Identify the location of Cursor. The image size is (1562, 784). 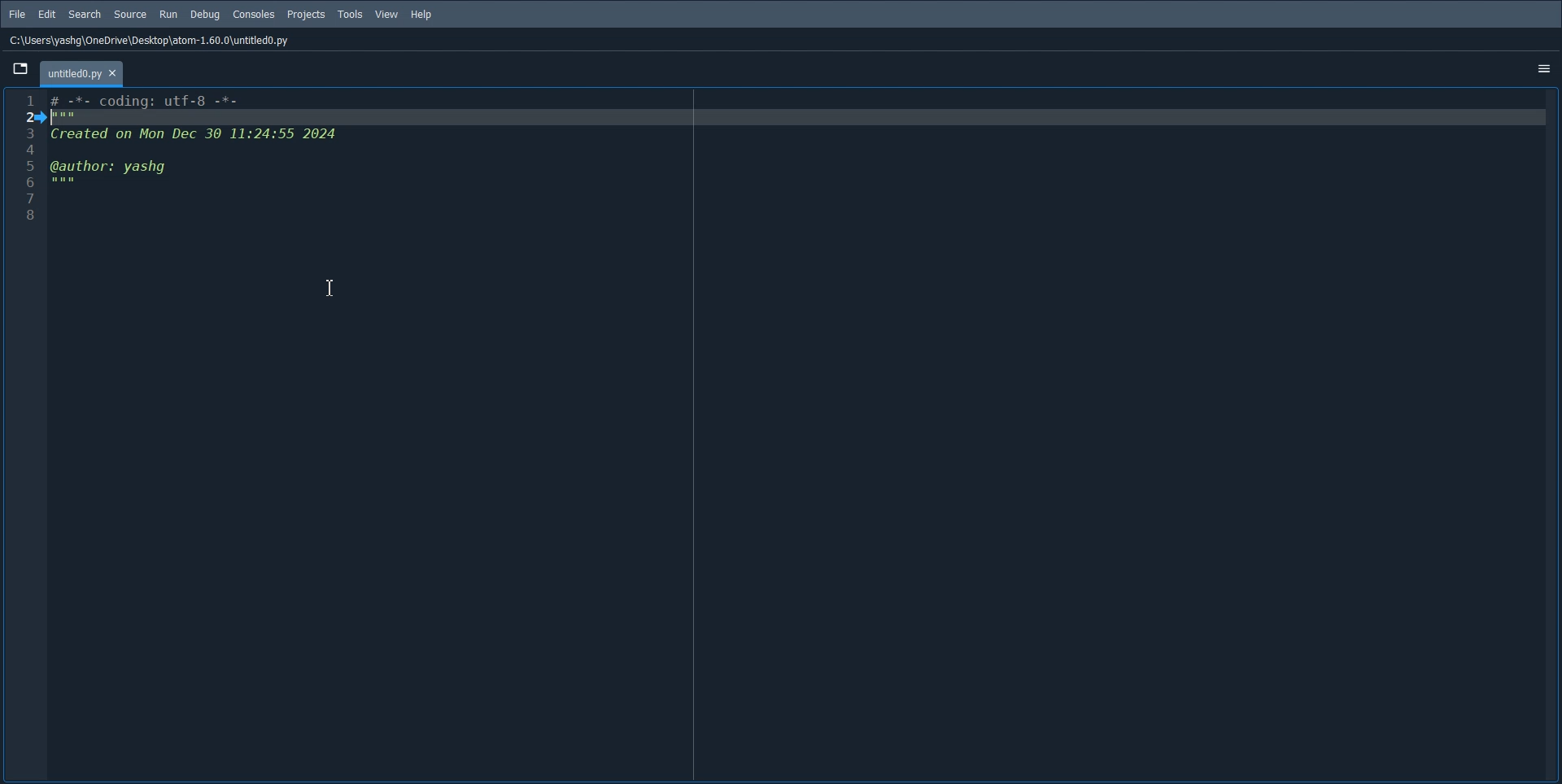
(329, 289).